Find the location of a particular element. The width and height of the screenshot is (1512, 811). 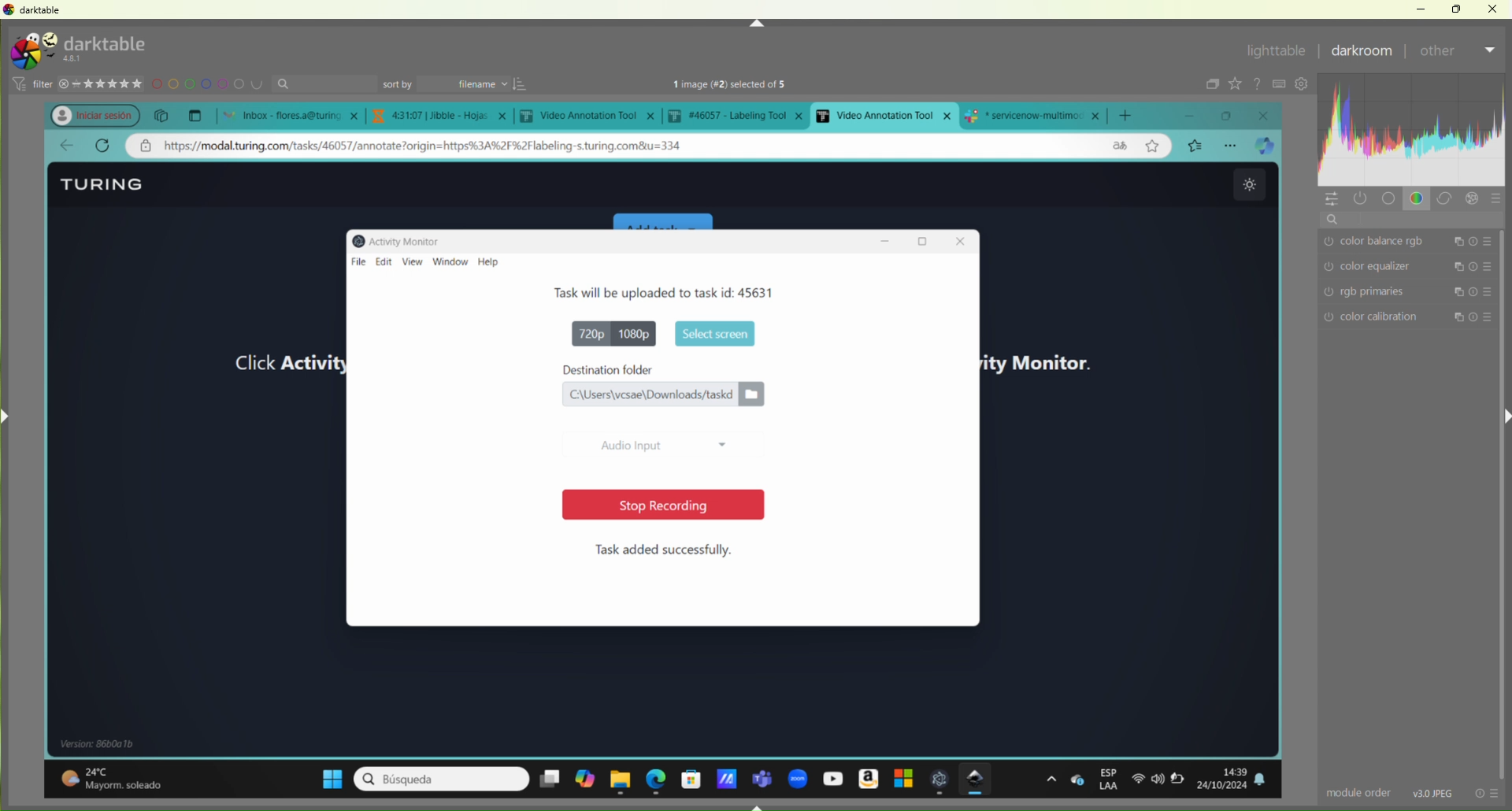

activity monitor is located at coordinates (1046, 359).